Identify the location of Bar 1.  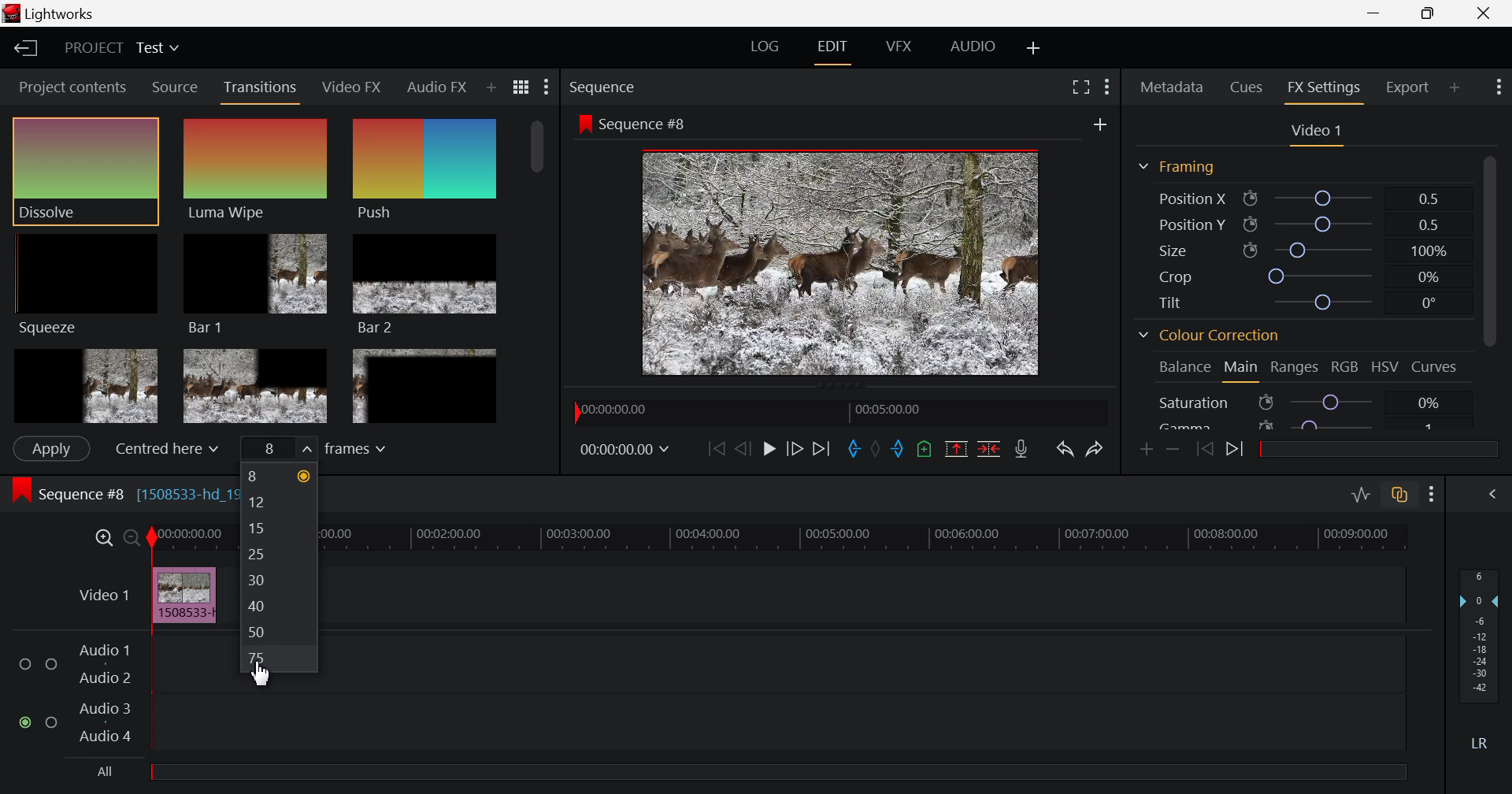
(254, 284).